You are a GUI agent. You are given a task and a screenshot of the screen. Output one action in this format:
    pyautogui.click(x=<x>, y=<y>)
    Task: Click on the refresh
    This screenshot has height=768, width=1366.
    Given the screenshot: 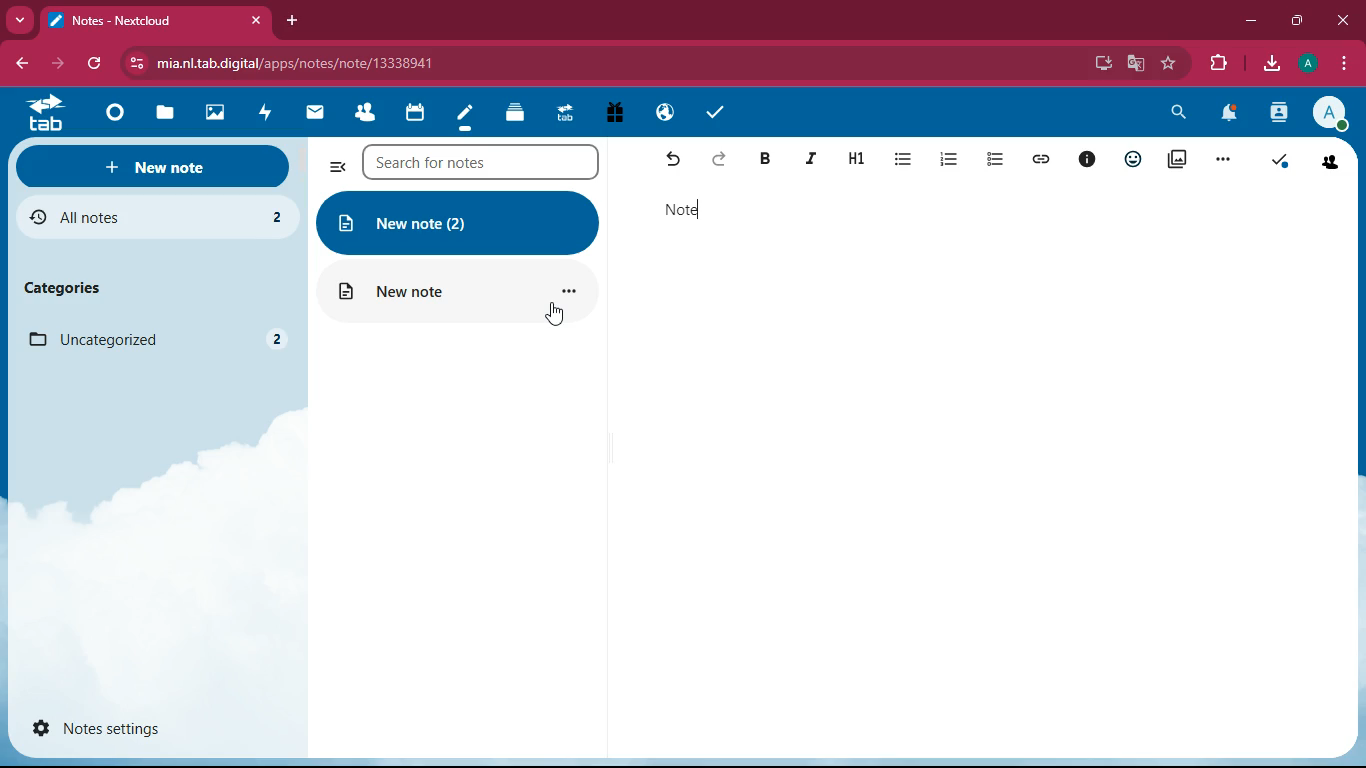 What is the action you would take?
    pyautogui.click(x=97, y=64)
    